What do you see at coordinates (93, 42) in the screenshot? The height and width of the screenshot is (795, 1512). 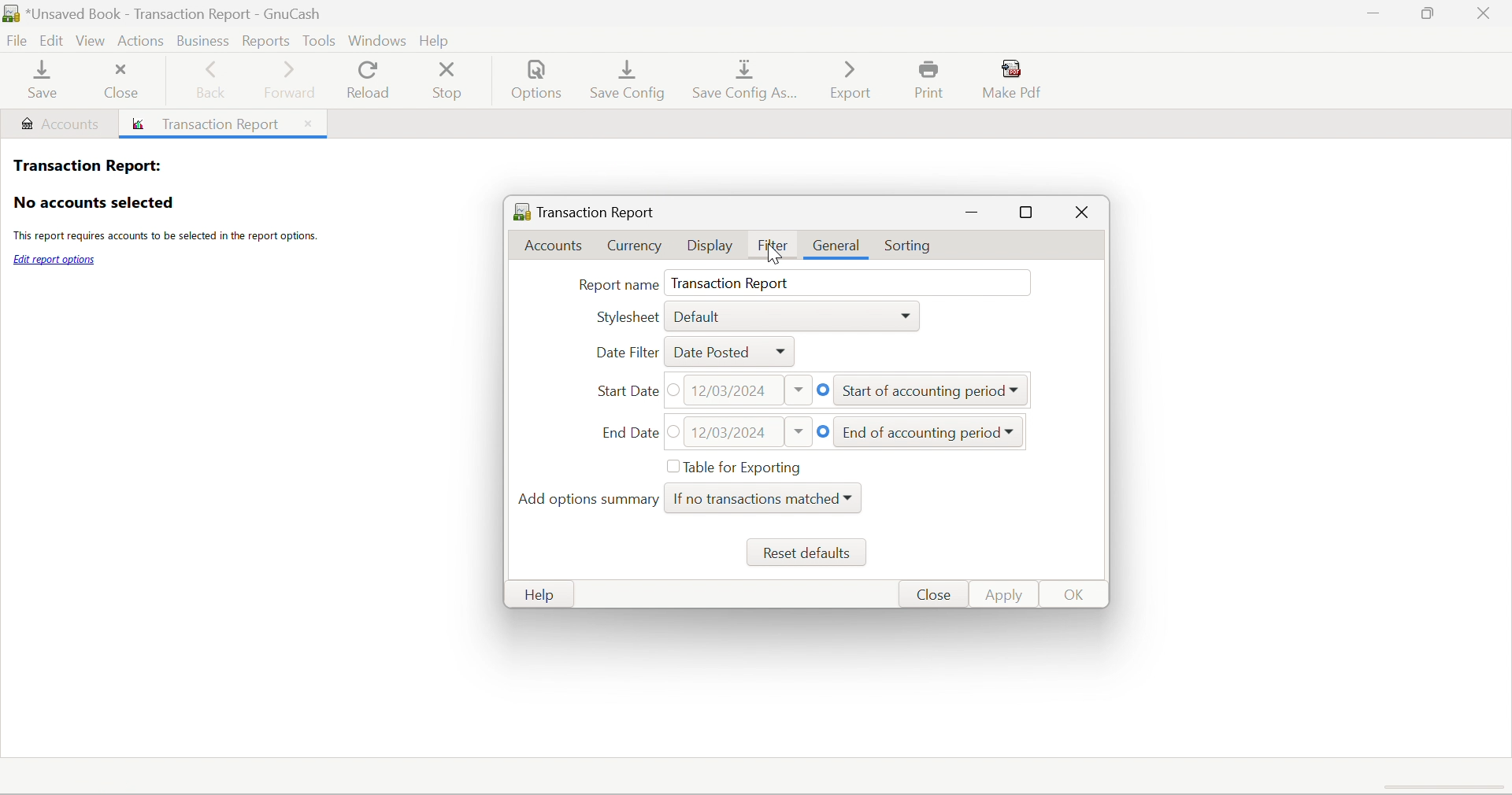 I see `View` at bounding box center [93, 42].